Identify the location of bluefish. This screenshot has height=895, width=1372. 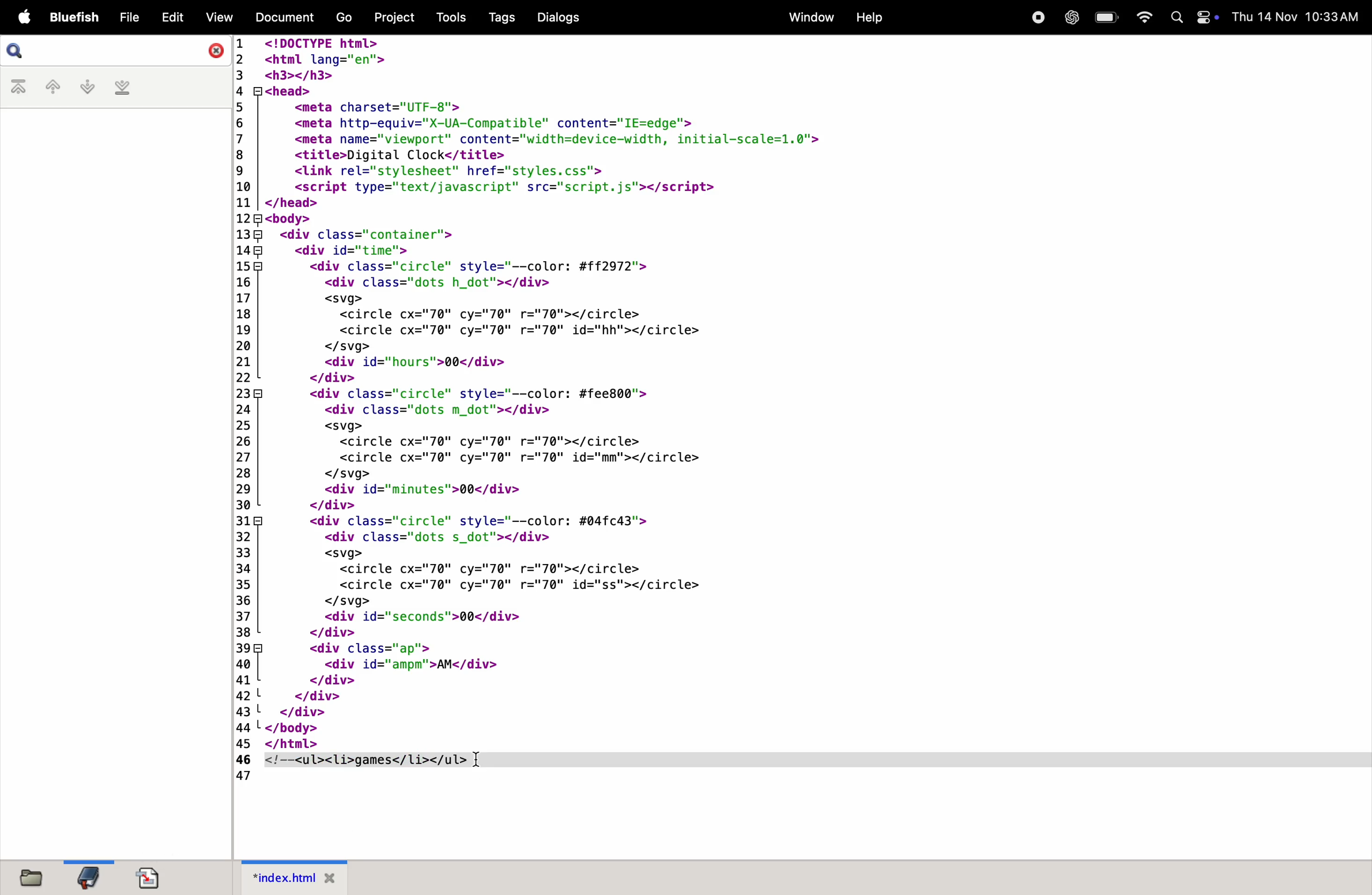
(71, 16).